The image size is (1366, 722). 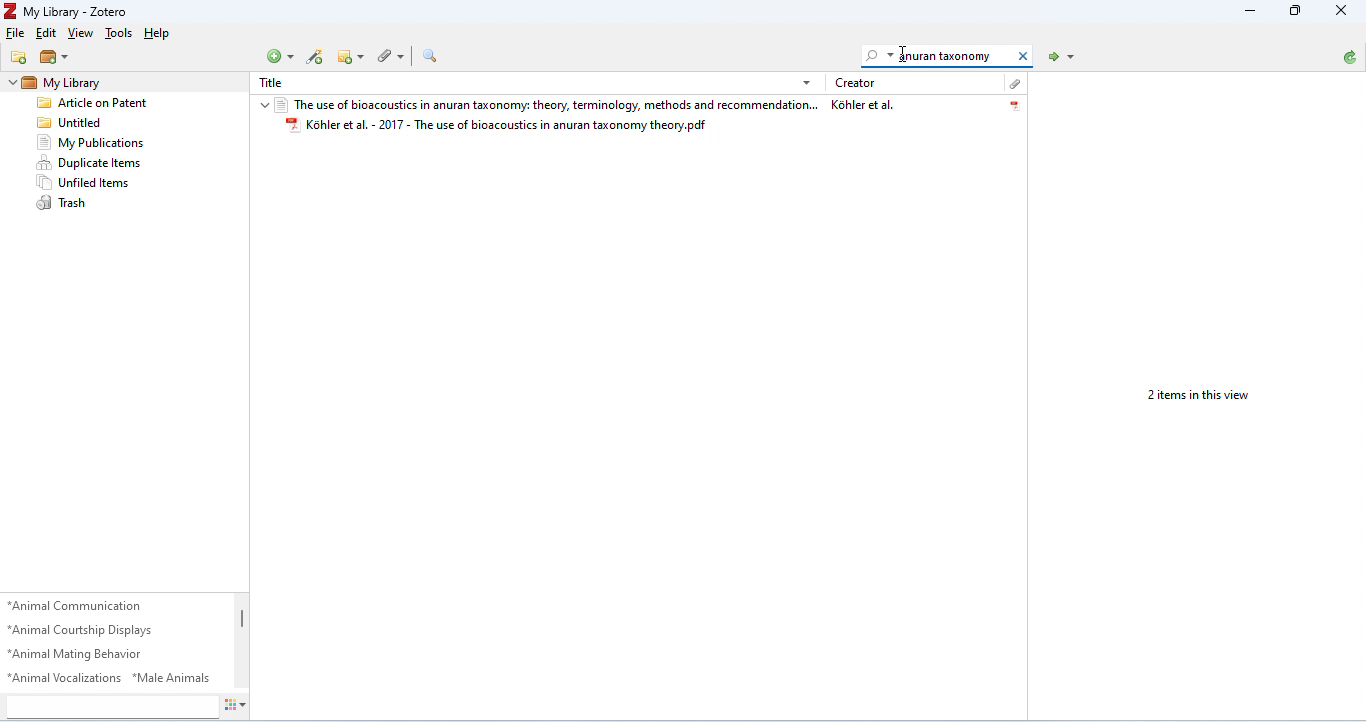 I want to click on Tools, so click(x=120, y=32).